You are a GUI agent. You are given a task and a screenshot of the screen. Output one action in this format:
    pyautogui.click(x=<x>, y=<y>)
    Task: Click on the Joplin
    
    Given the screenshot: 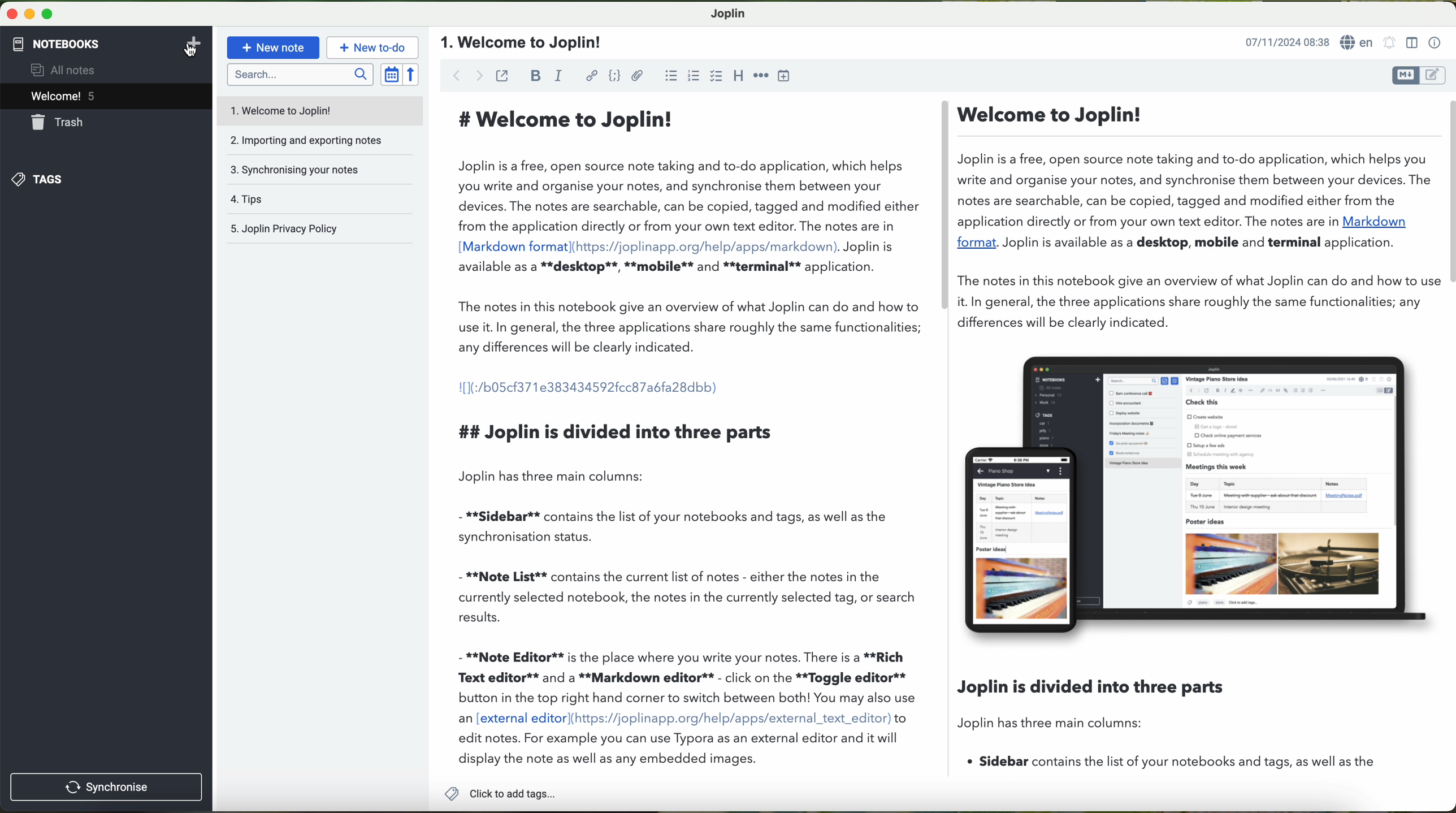 What is the action you would take?
    pyautogui.click(x=729, y=13)
    